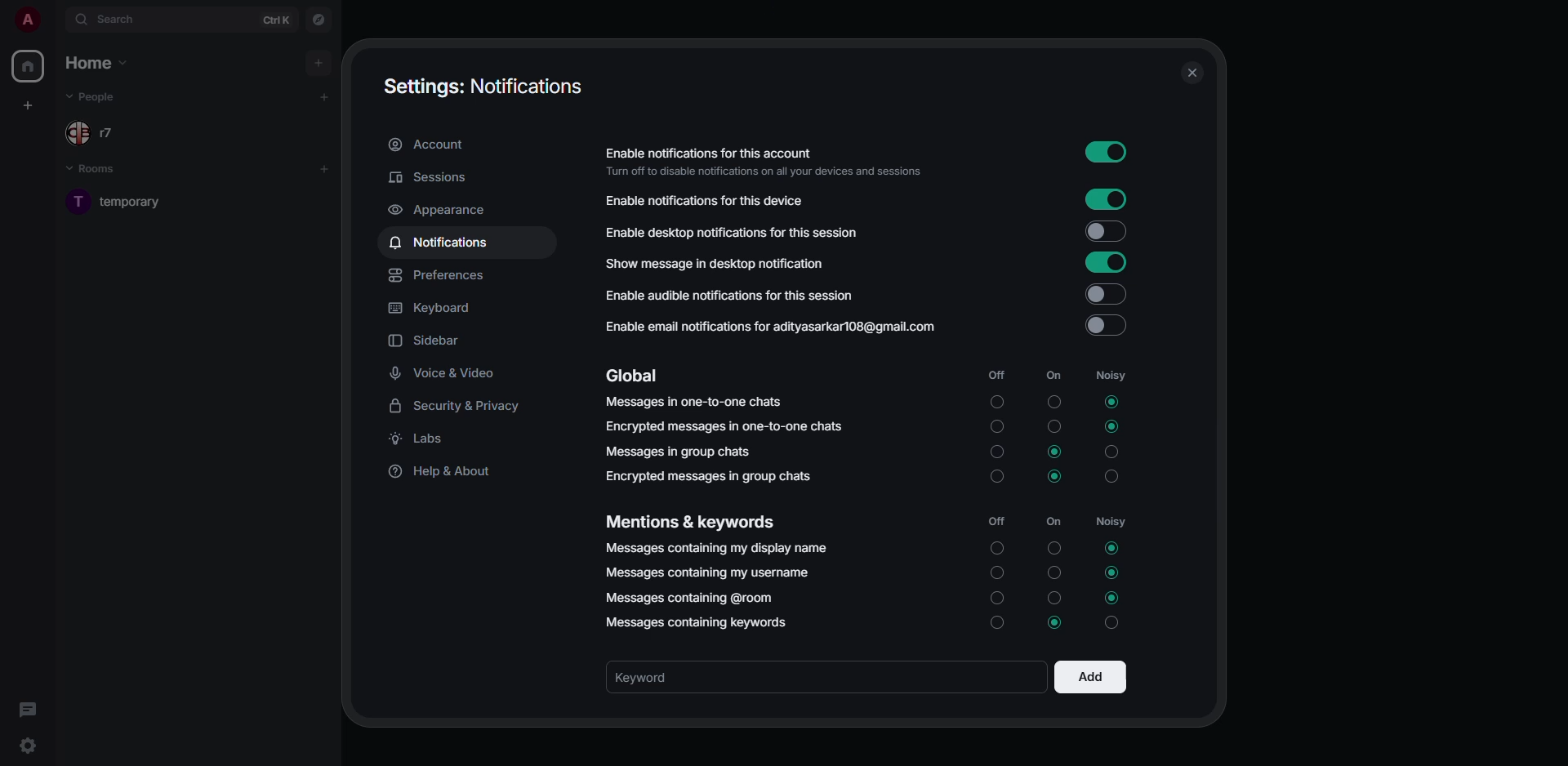  Describe the element at coordinates (55, 22) in the screenshot. I see `expand` at that location.